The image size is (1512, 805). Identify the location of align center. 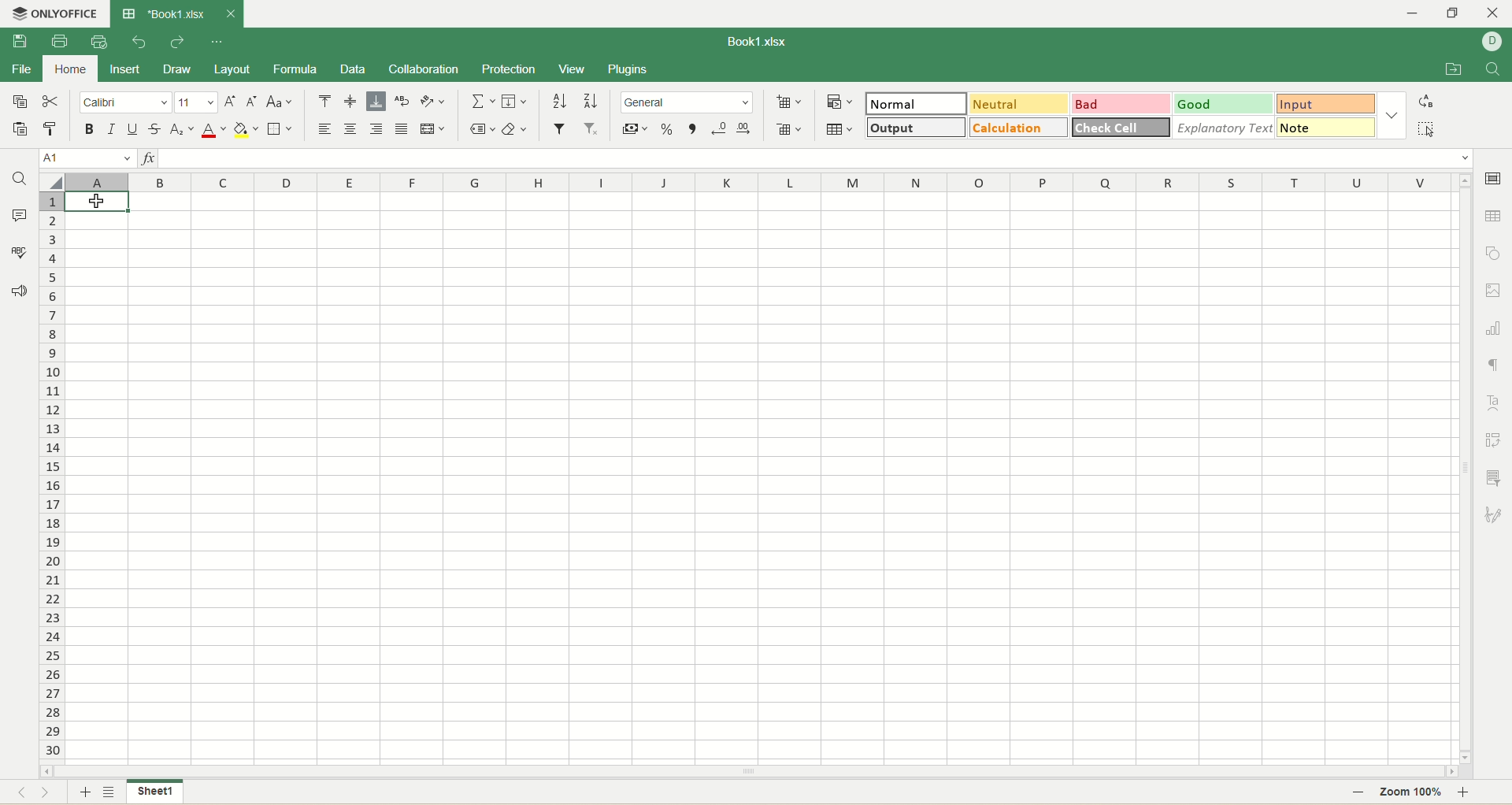
(350, 131).